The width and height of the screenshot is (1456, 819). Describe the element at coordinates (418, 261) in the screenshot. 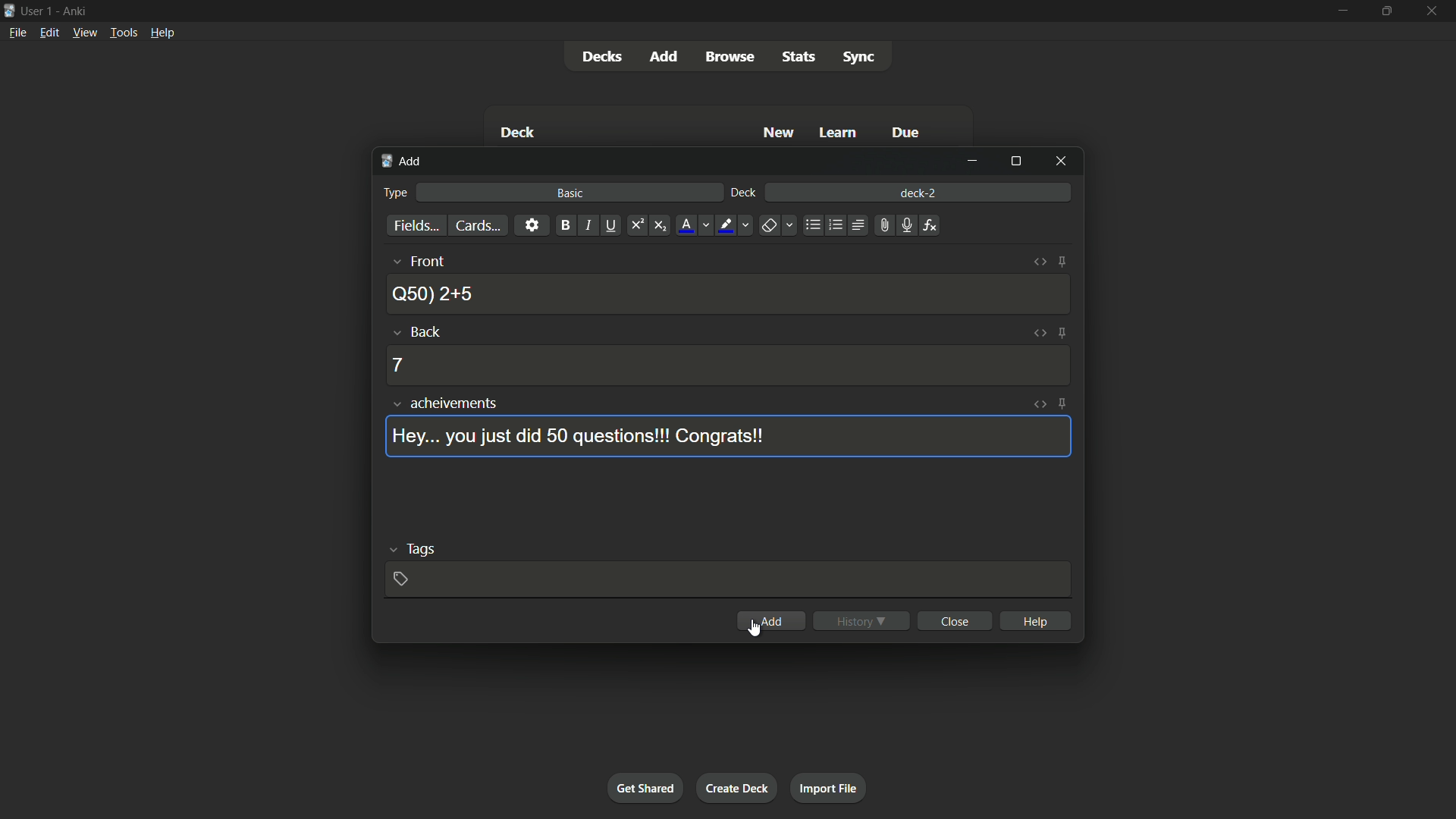

I see `front` at that location.